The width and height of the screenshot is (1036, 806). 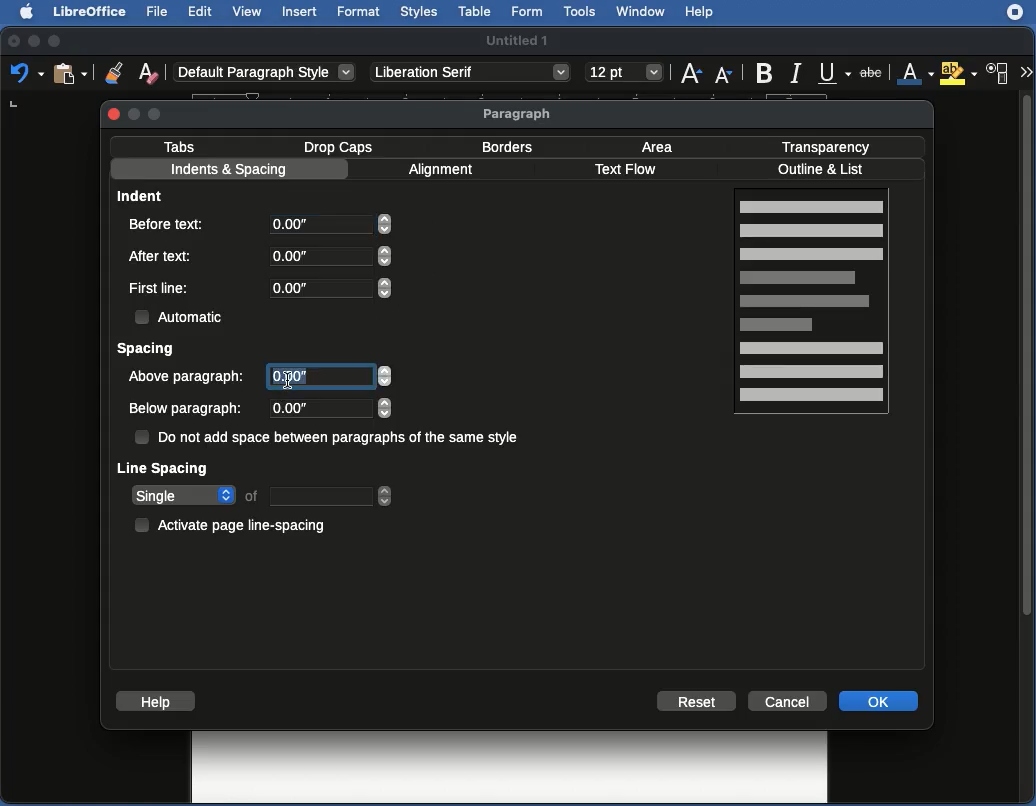 What do you see at coordinates (1017, 20) in the screenshot?
I see `extensions` at bounding box center [1017, 20].